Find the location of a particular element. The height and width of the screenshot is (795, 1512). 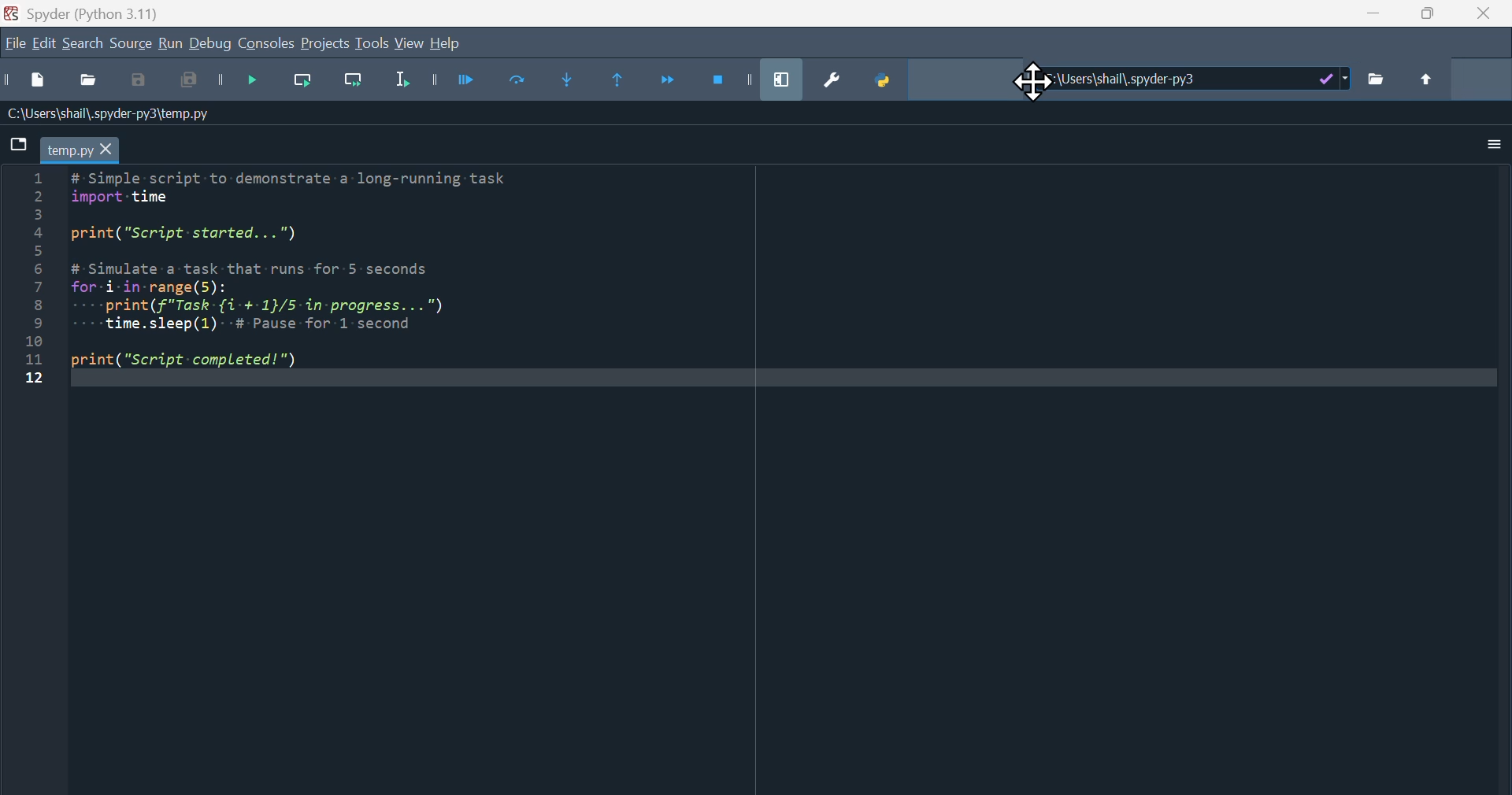

New file is located at coordinates (28, 85).